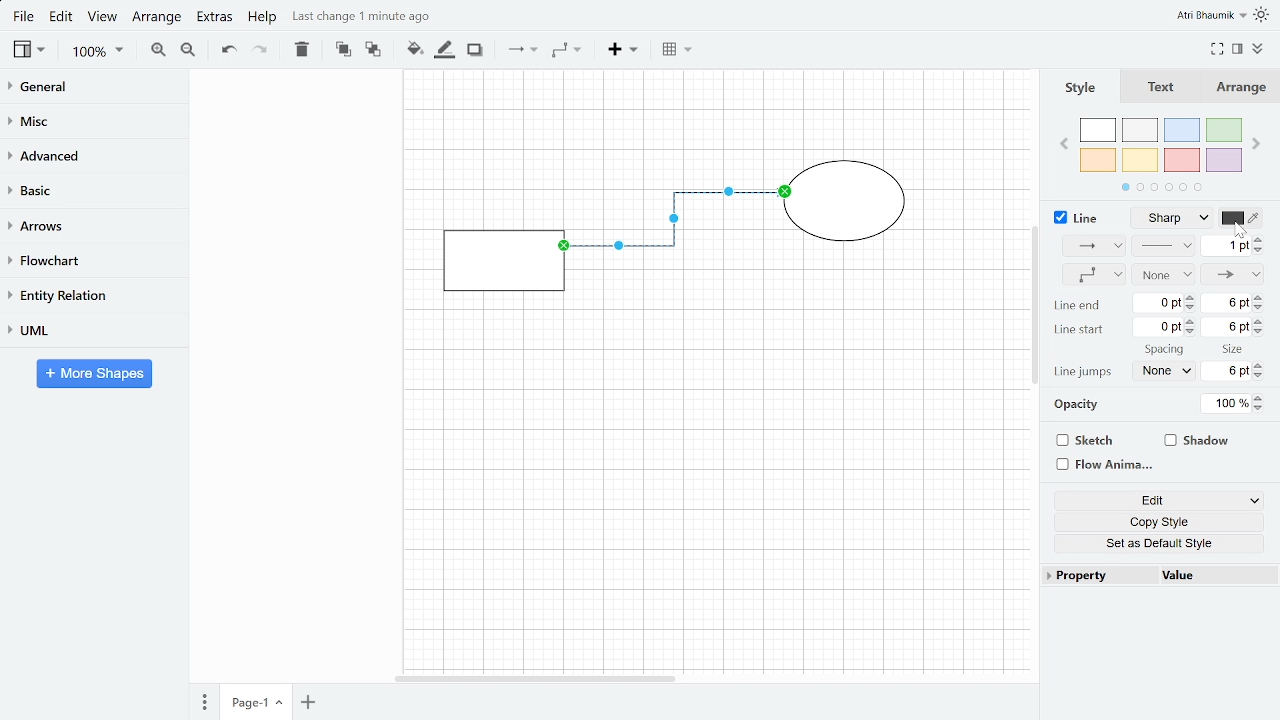 Image resolution: width=1280 pixels, height=720 pixels. Describe the element at coordinates (260, 50) in the screenshot. I see `Redo` at that location.